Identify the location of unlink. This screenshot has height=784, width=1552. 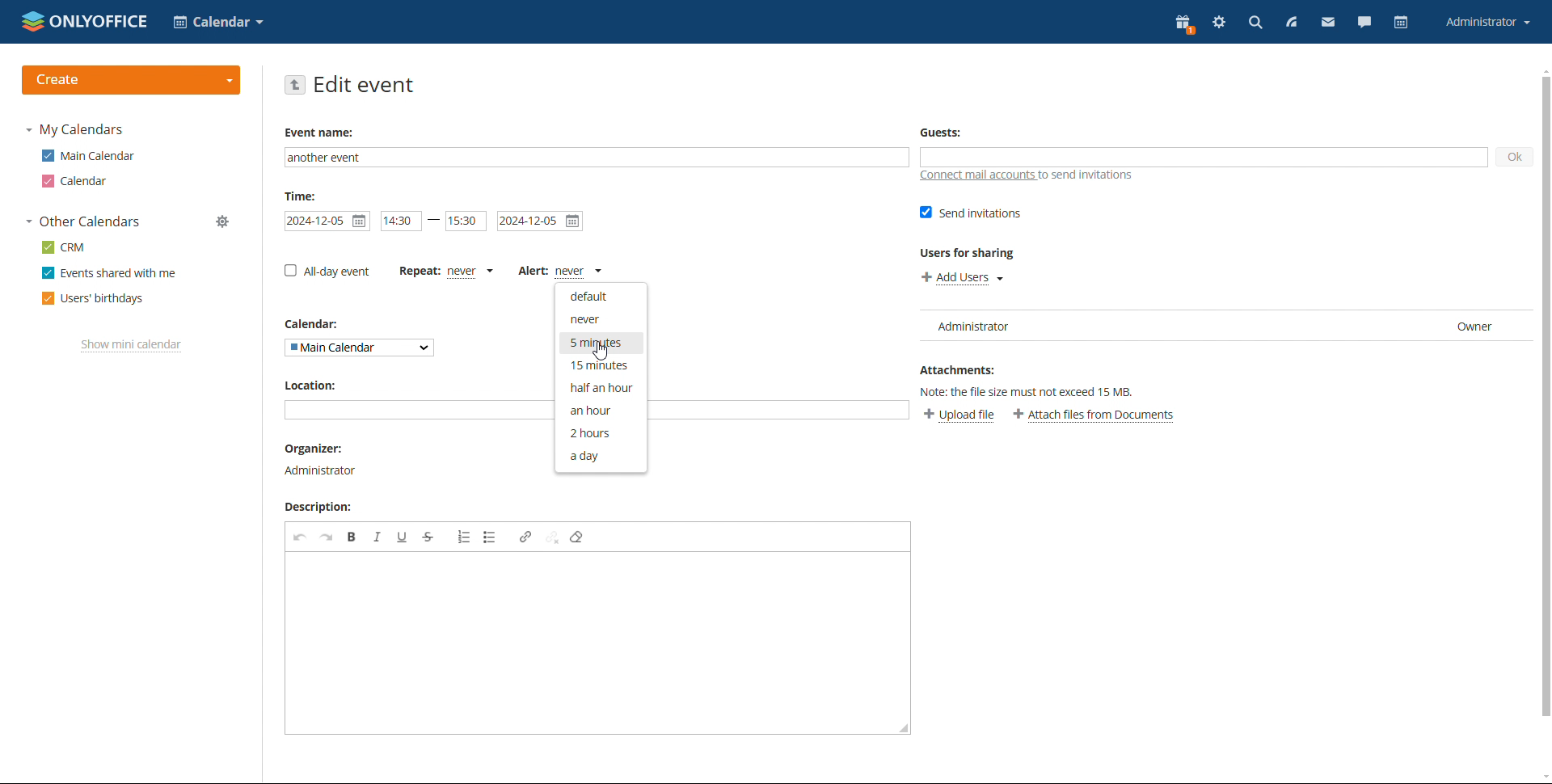
(552, 537).